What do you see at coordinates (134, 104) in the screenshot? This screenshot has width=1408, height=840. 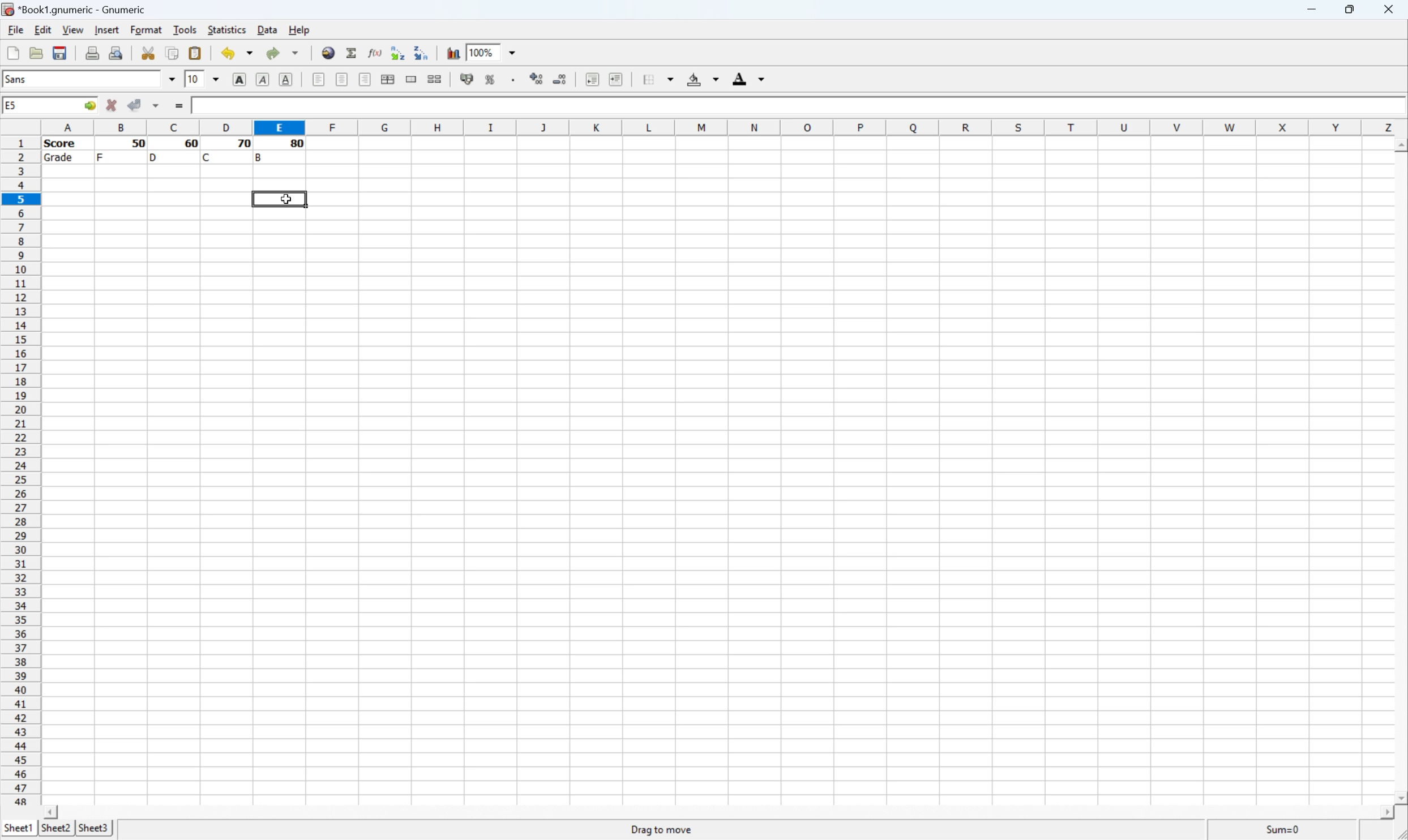 I see `Accept change` at bounding box center [134, 104].